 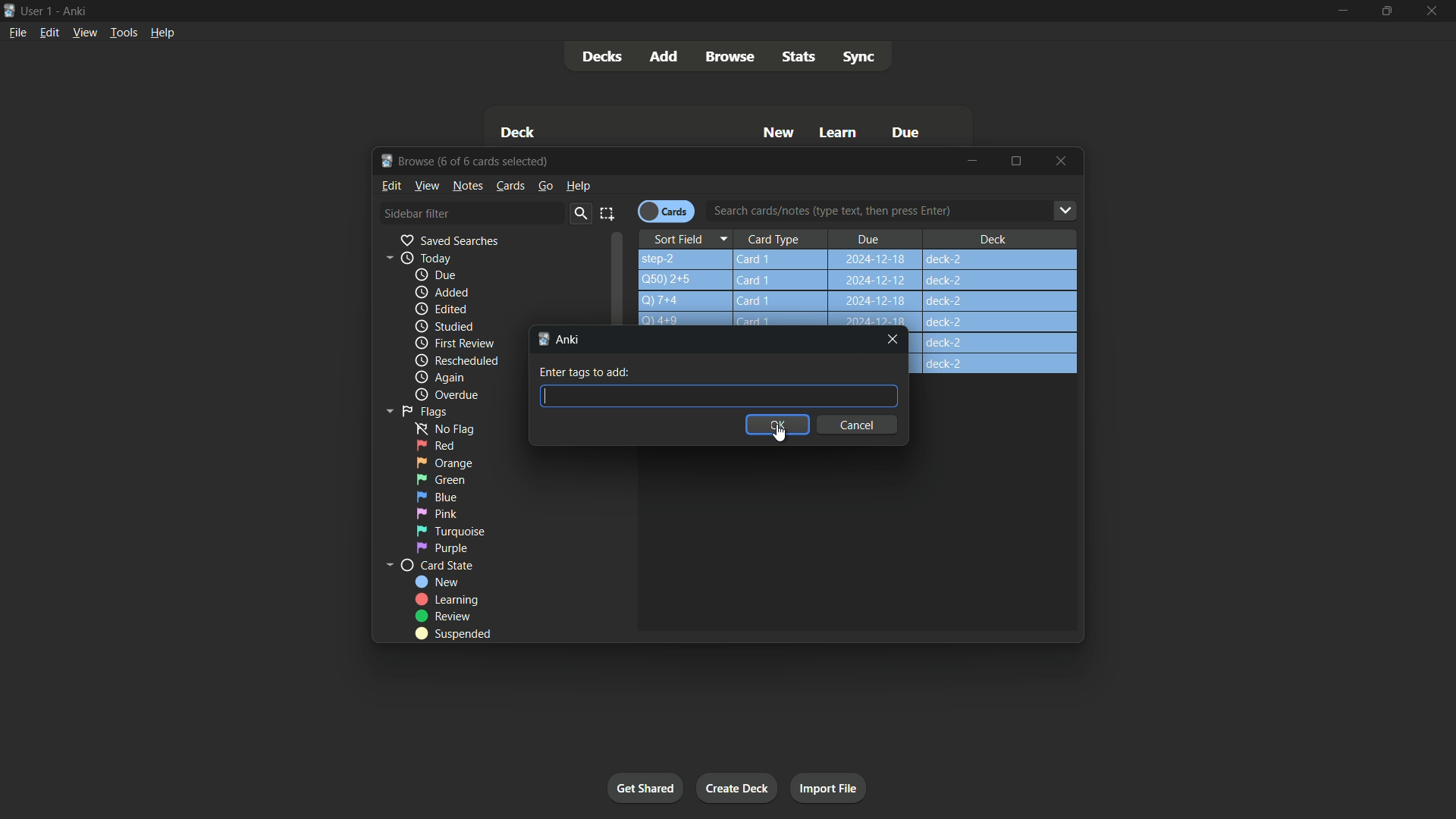 What do you see at coordinates (416, 213) in the screenshot?
I see `Sidebar filter` at bounding box center [416, 213].